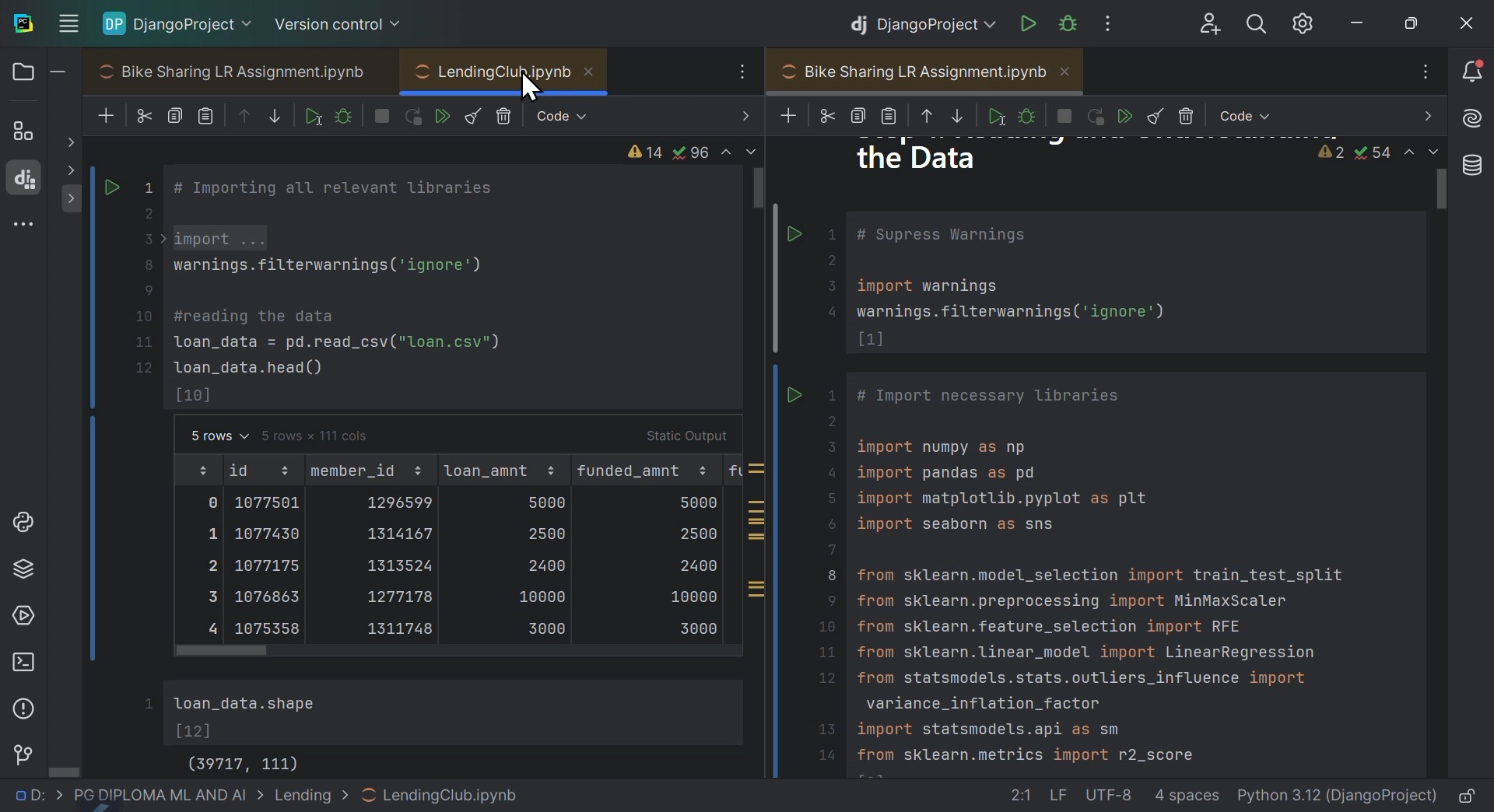 This screenshot has width=1494, height=812. I want to click on Database, so click(1475, 170).